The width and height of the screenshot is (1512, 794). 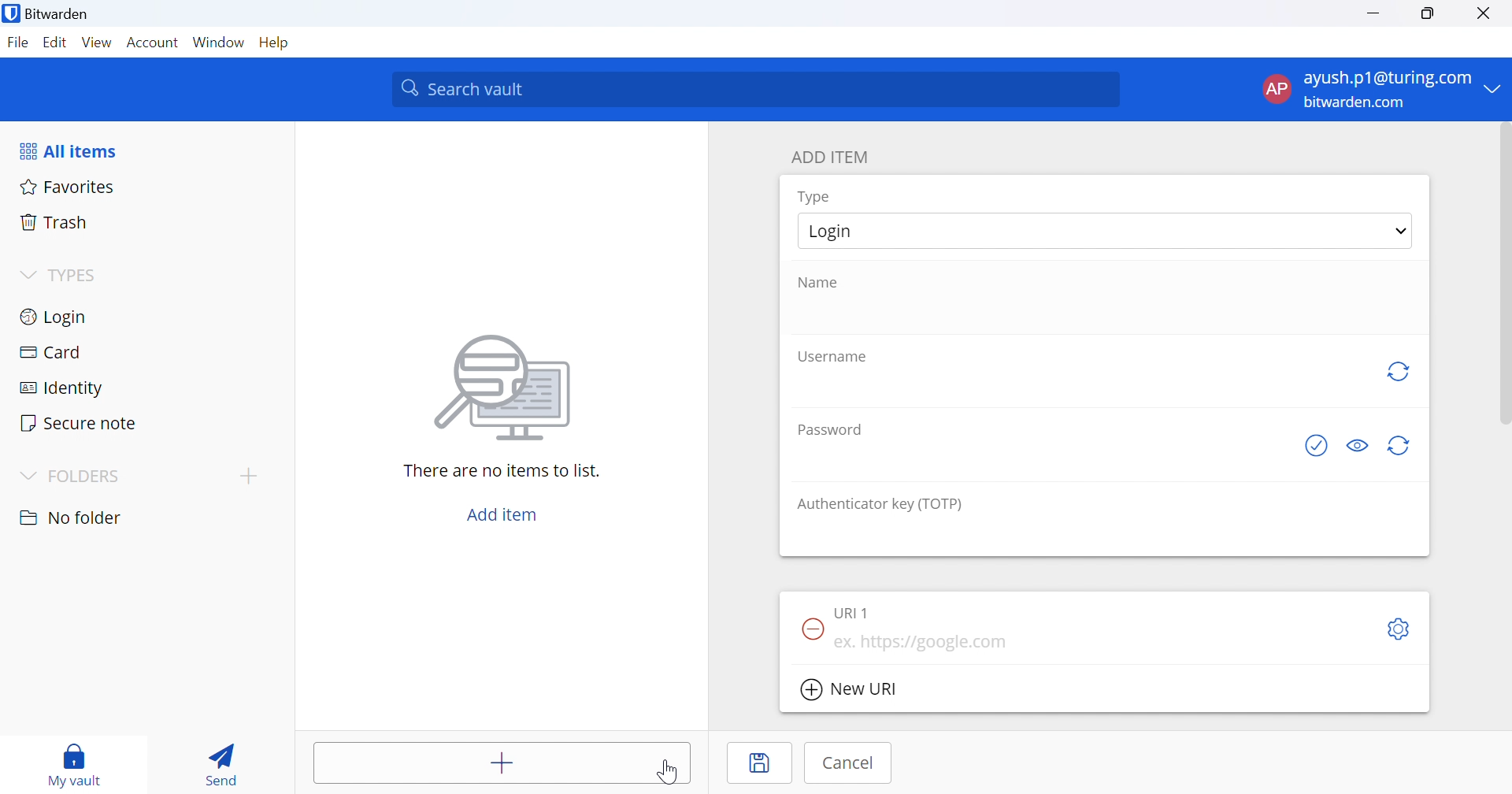 What do you see at coordinates (17, 43) in the screenshot?
I see `File` at bounding box center [17, 43].